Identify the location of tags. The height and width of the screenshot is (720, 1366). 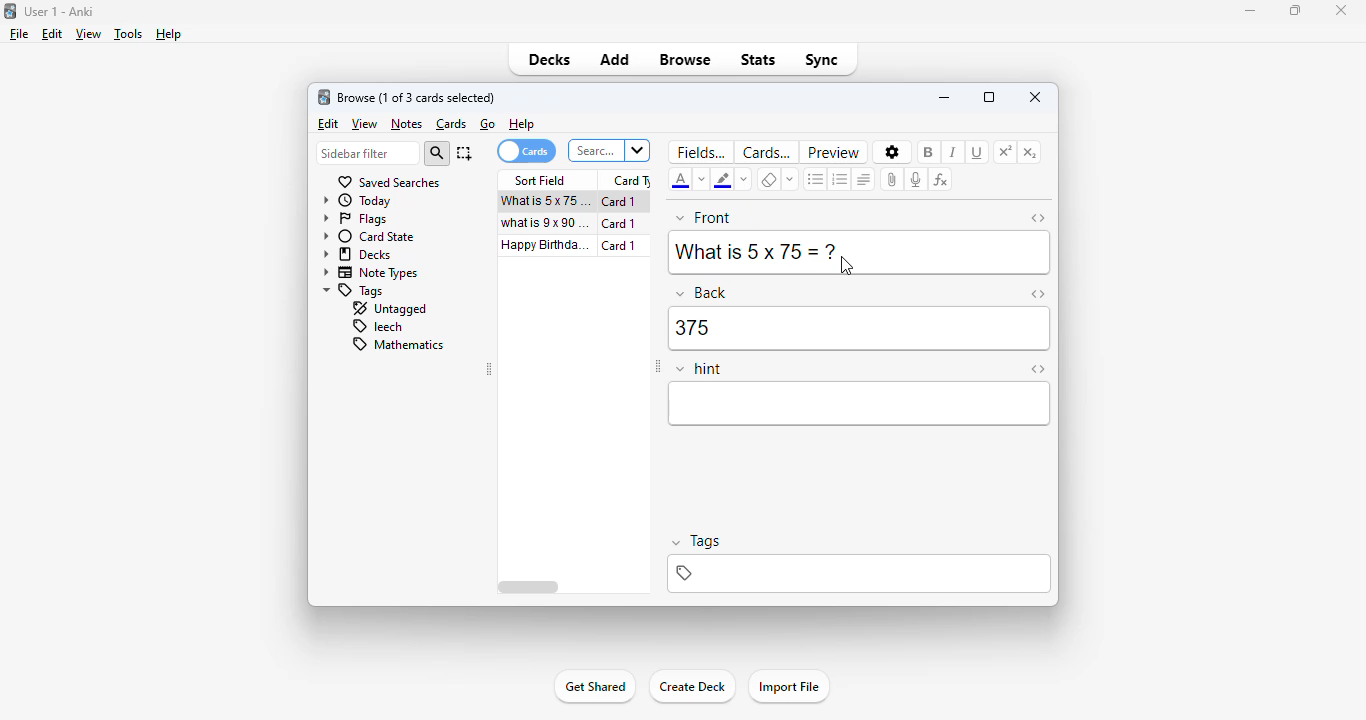
(697, 541).